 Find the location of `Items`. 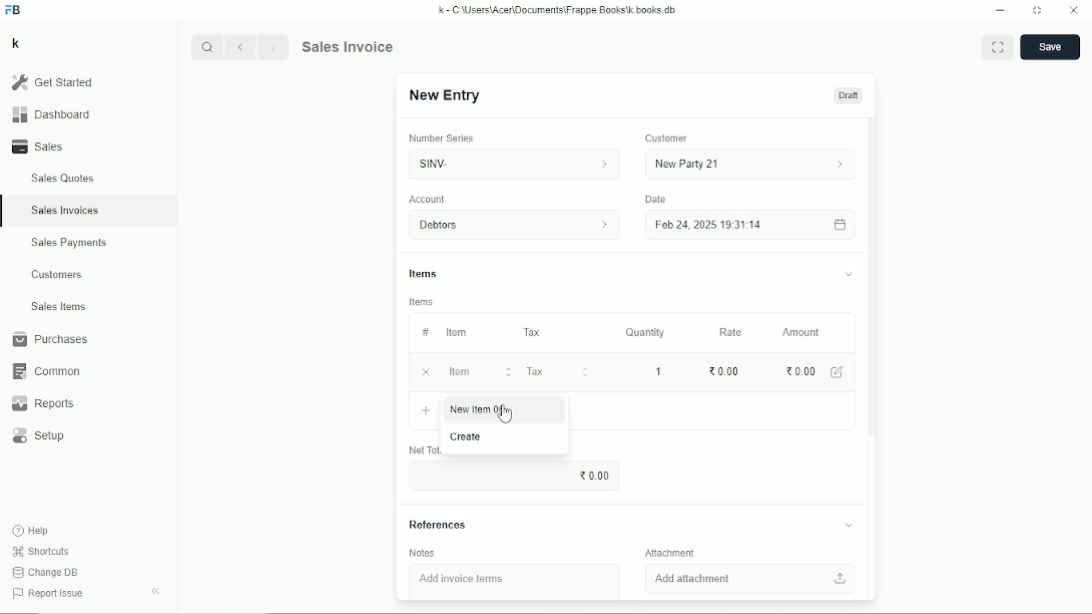

Items is located at coordinates (631, 276).